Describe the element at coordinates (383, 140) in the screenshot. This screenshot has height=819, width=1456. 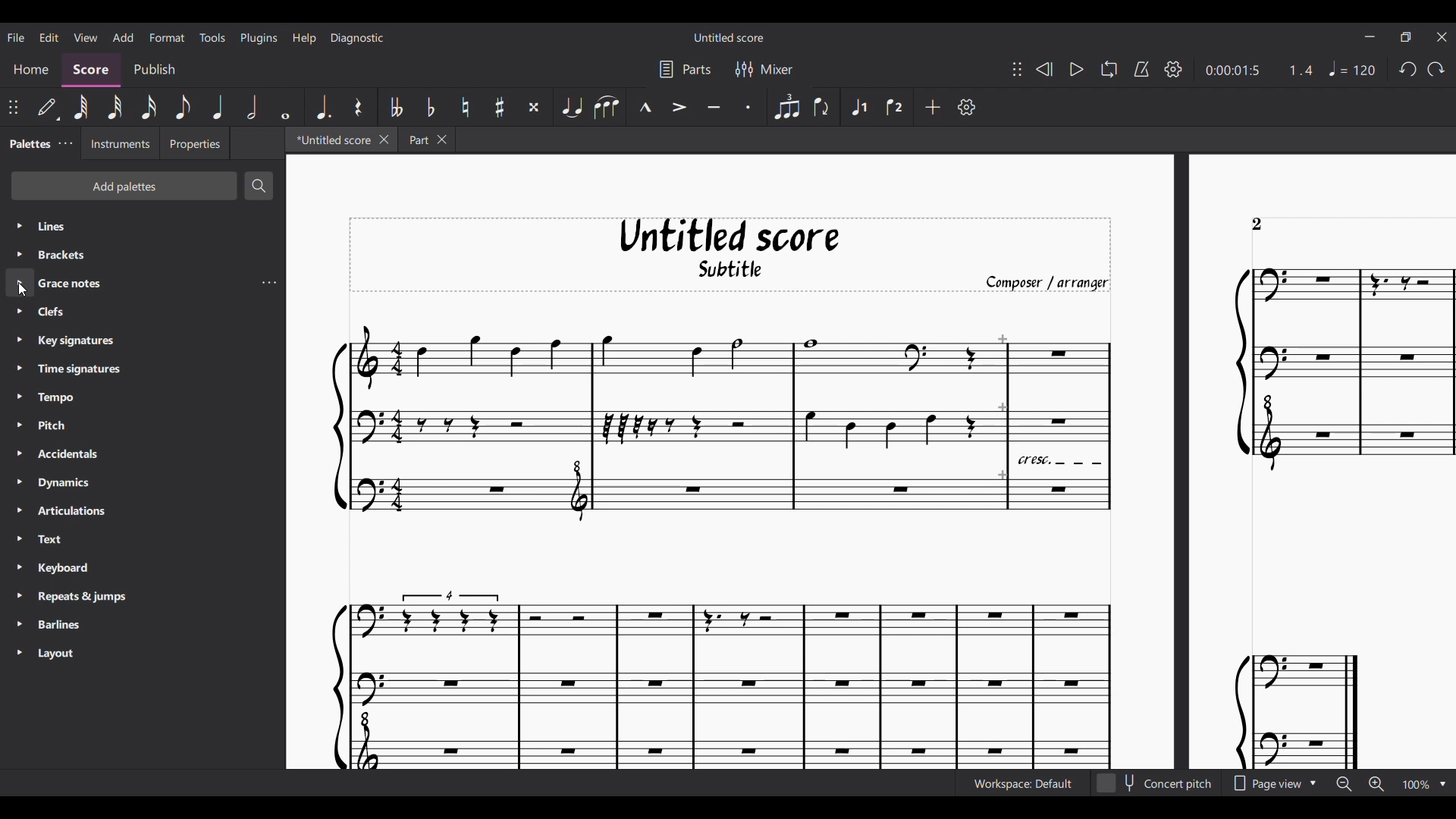
I see `Close current tab` at that location.